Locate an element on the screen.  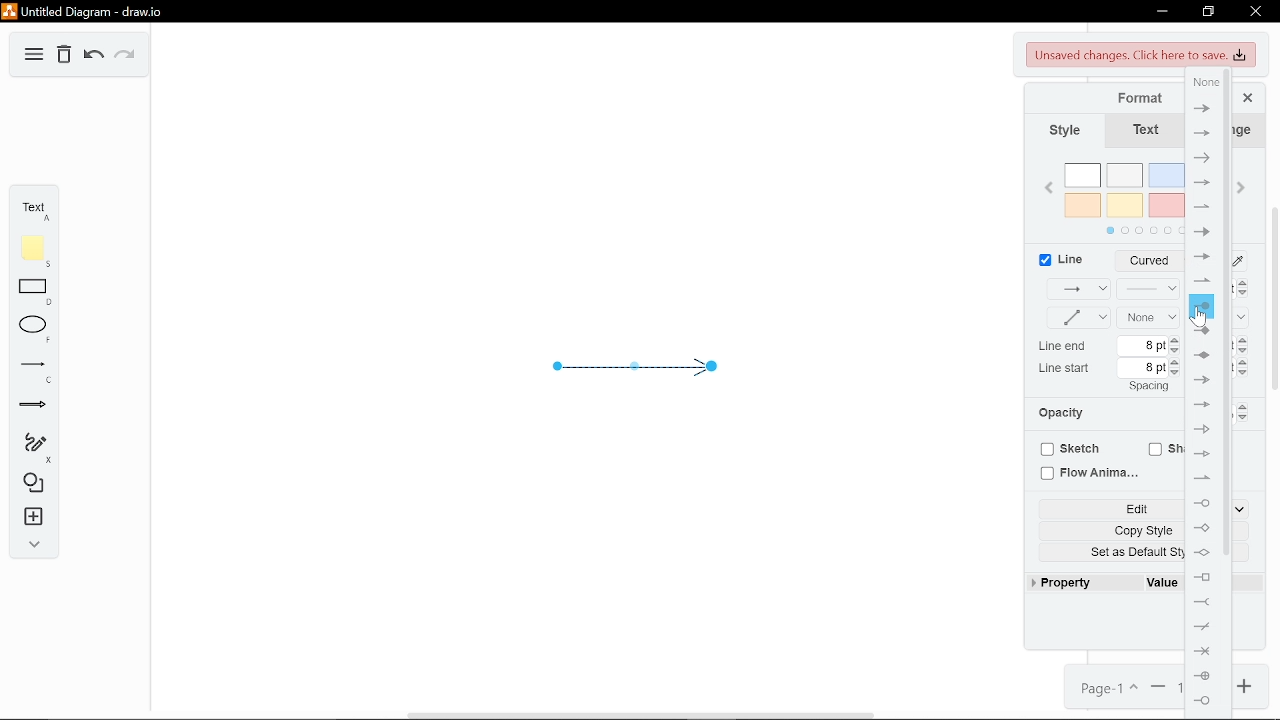
Edit is located at coordinates (1110, 509).